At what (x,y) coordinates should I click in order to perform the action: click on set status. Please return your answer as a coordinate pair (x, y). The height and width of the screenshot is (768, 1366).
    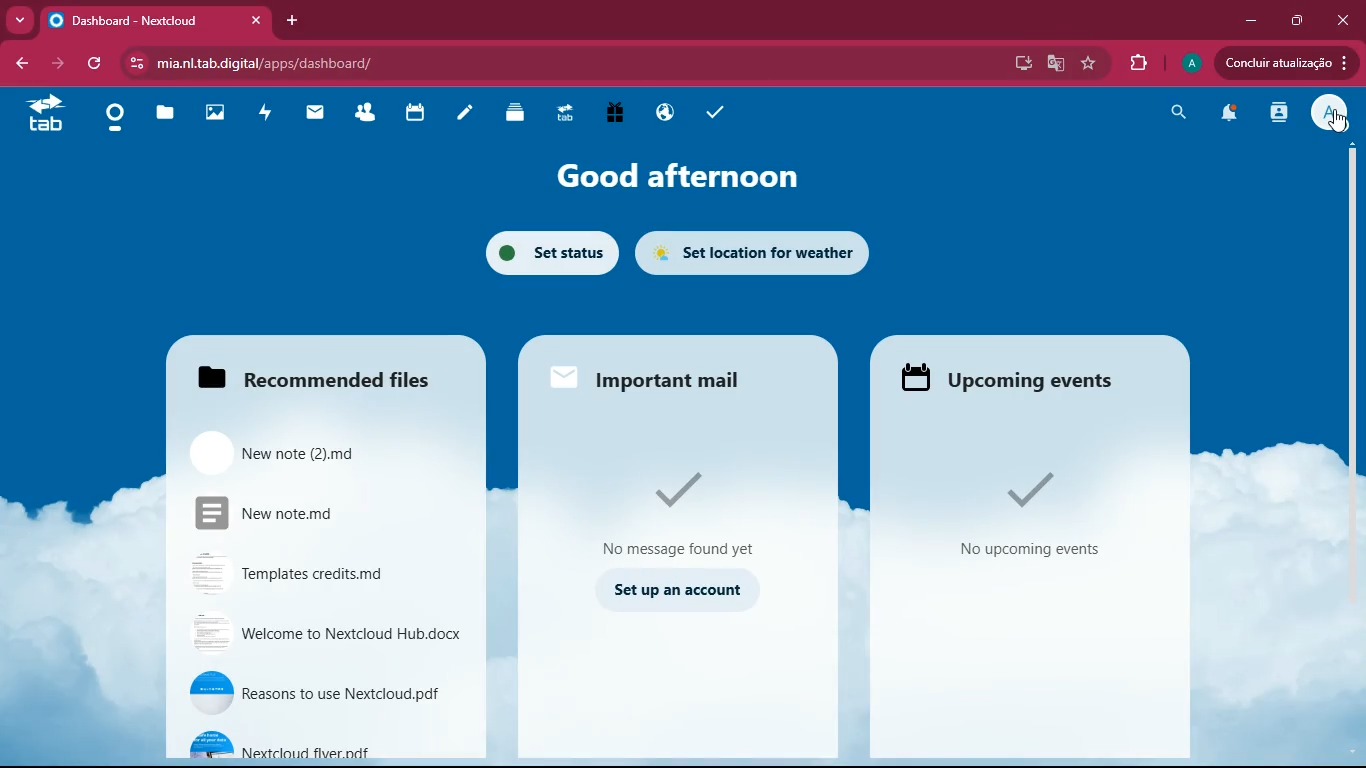
    Looking at the image, I should click on (548, 252).